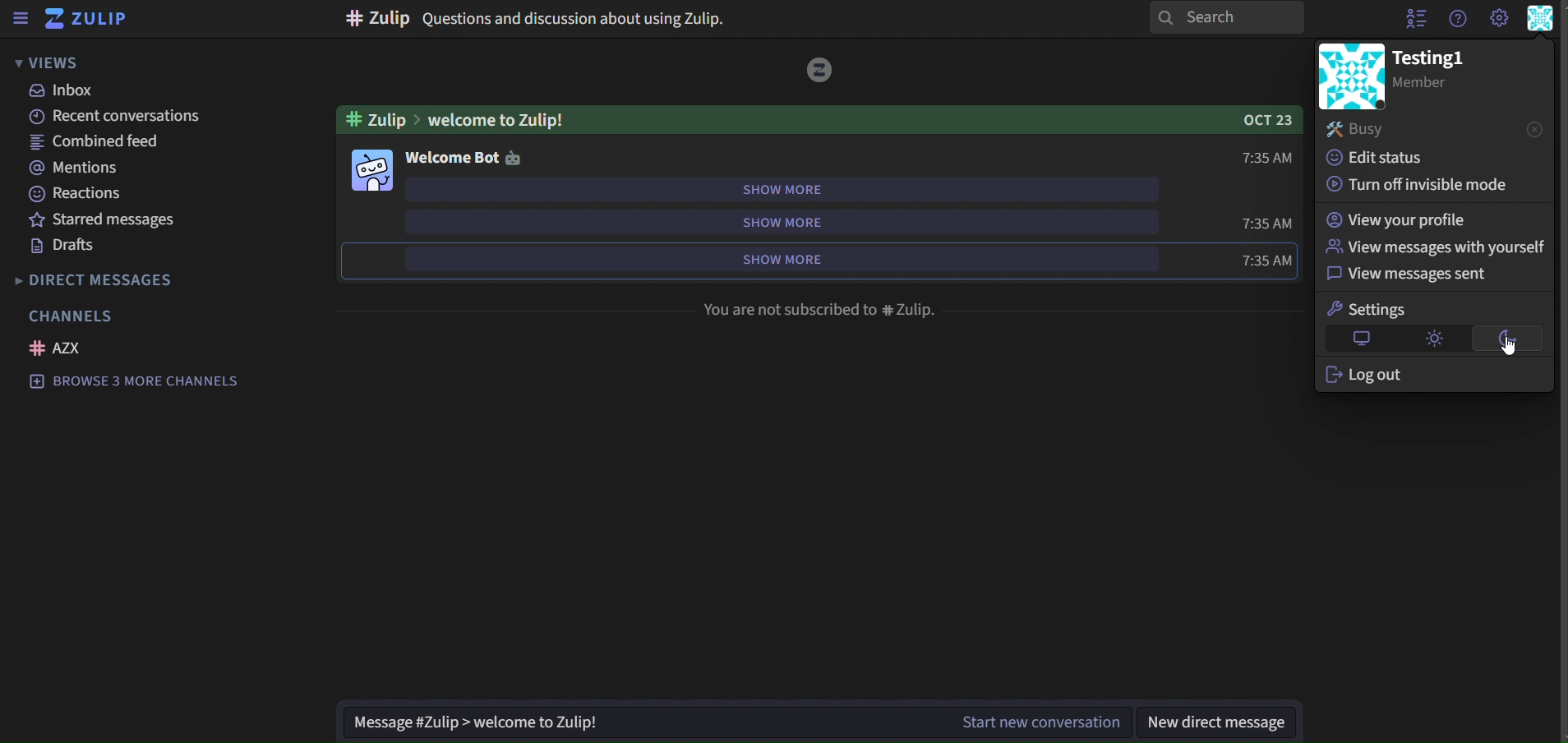 The height and width of the screenshot is (743, 1568). Describe the element at coordinates (113, 279) in the screenshot. I see `direct messages` at that location.